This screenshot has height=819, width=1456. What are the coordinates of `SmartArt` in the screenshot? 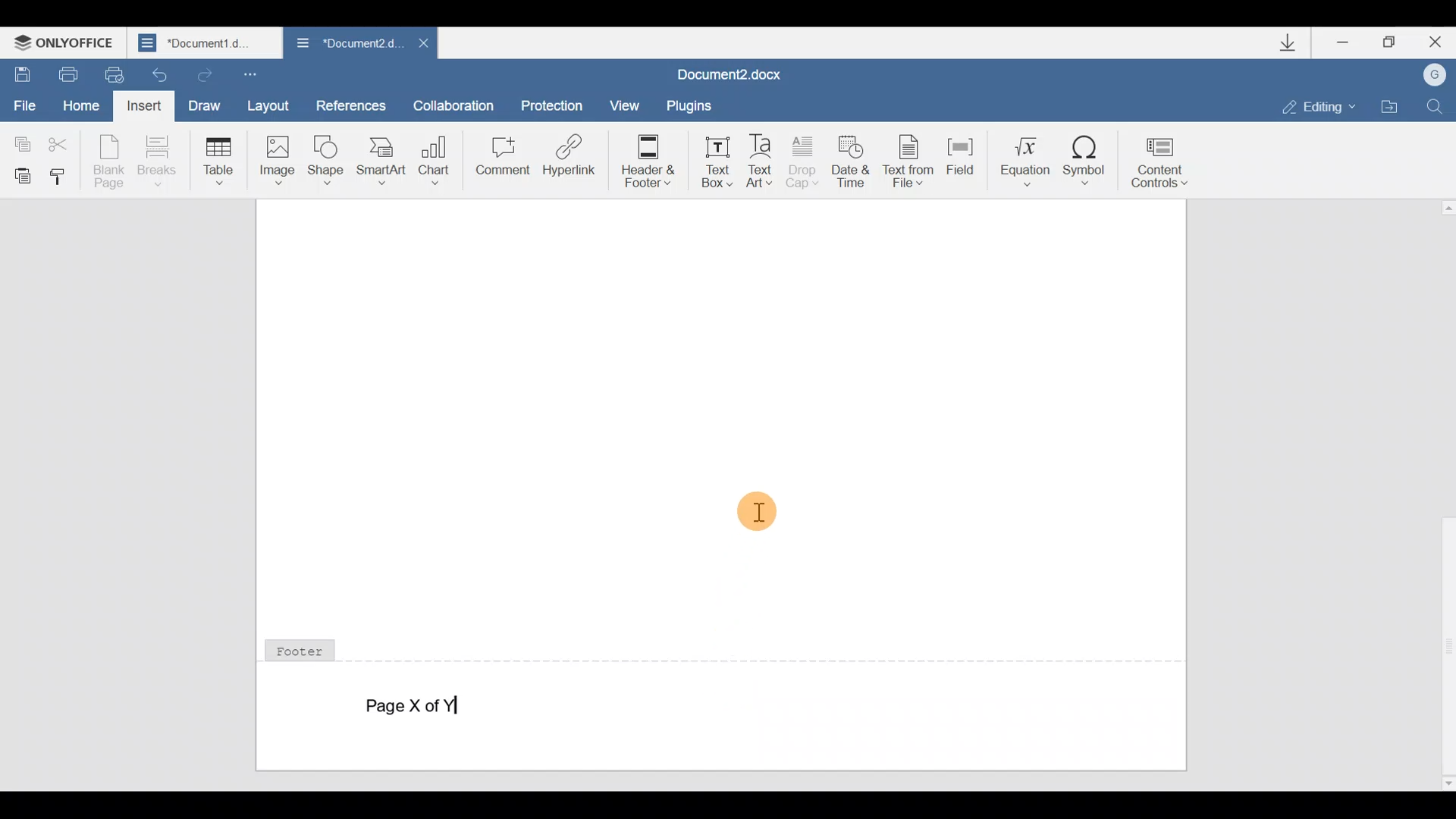 It's located at (381, 160).